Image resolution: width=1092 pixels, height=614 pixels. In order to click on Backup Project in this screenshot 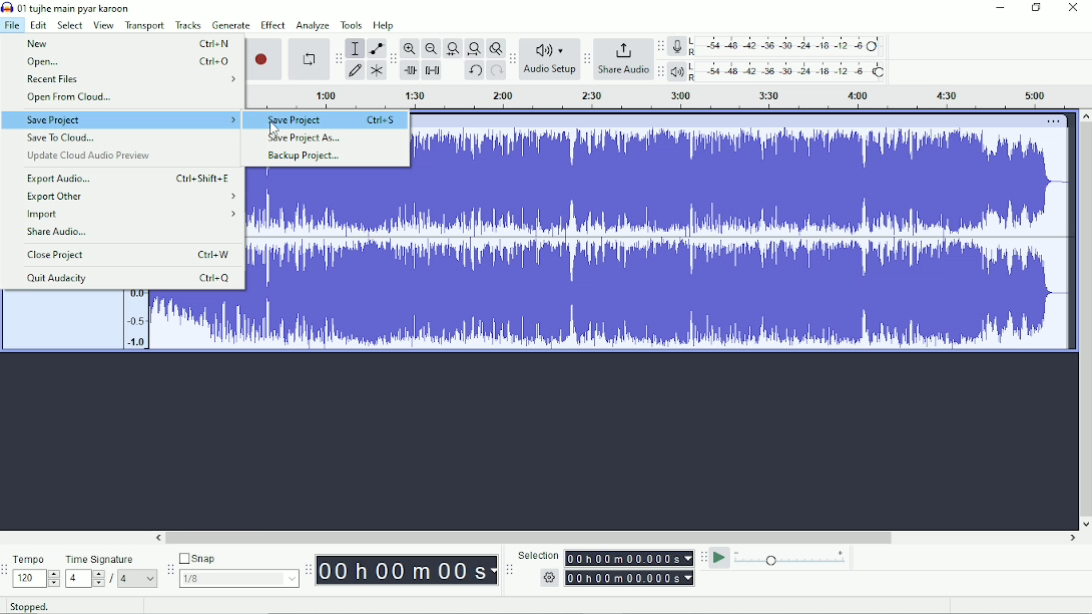, I will do `click(305, 156)`.